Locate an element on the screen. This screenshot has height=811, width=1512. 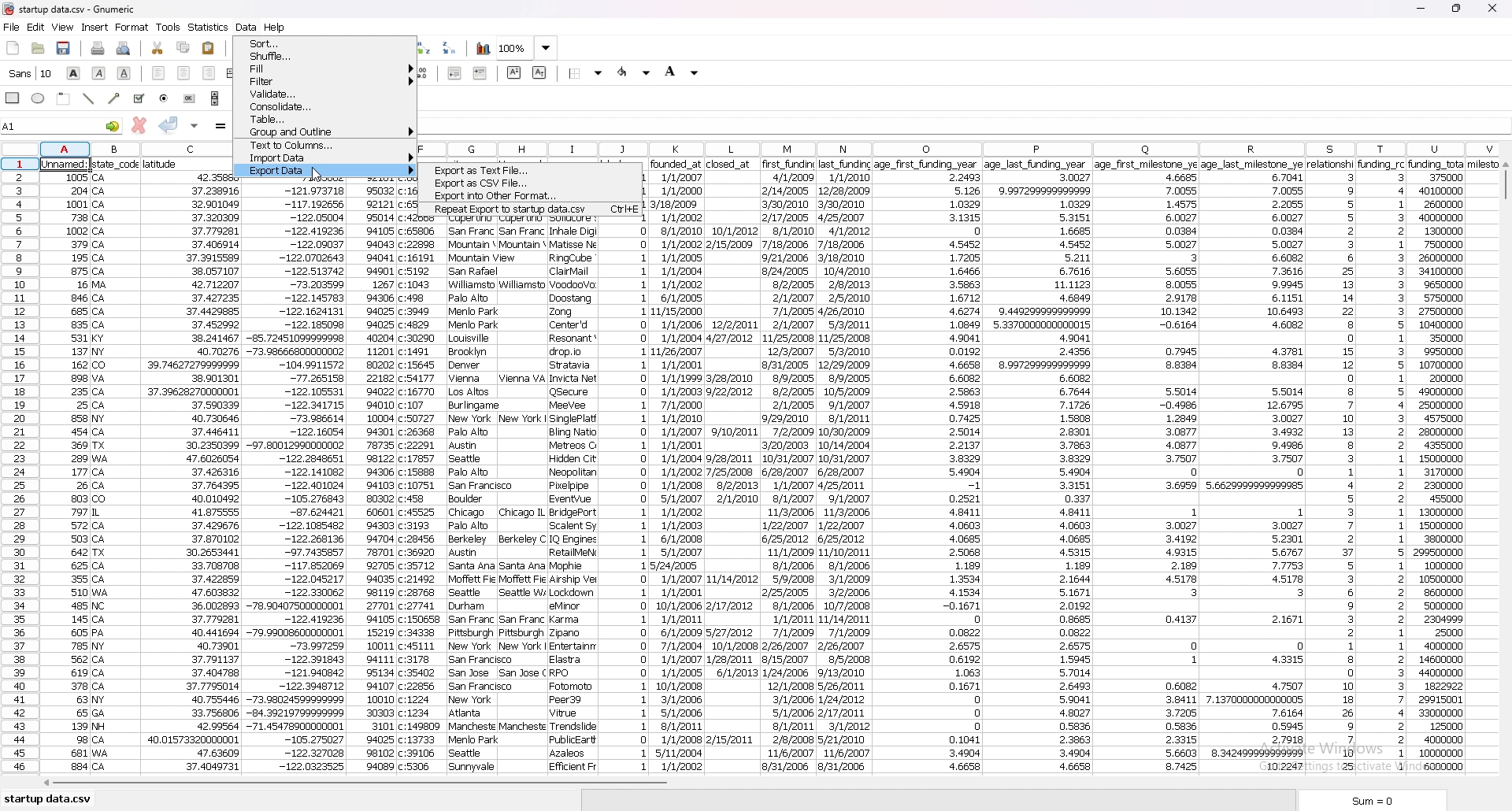
data is located at coordinates (523, 495).